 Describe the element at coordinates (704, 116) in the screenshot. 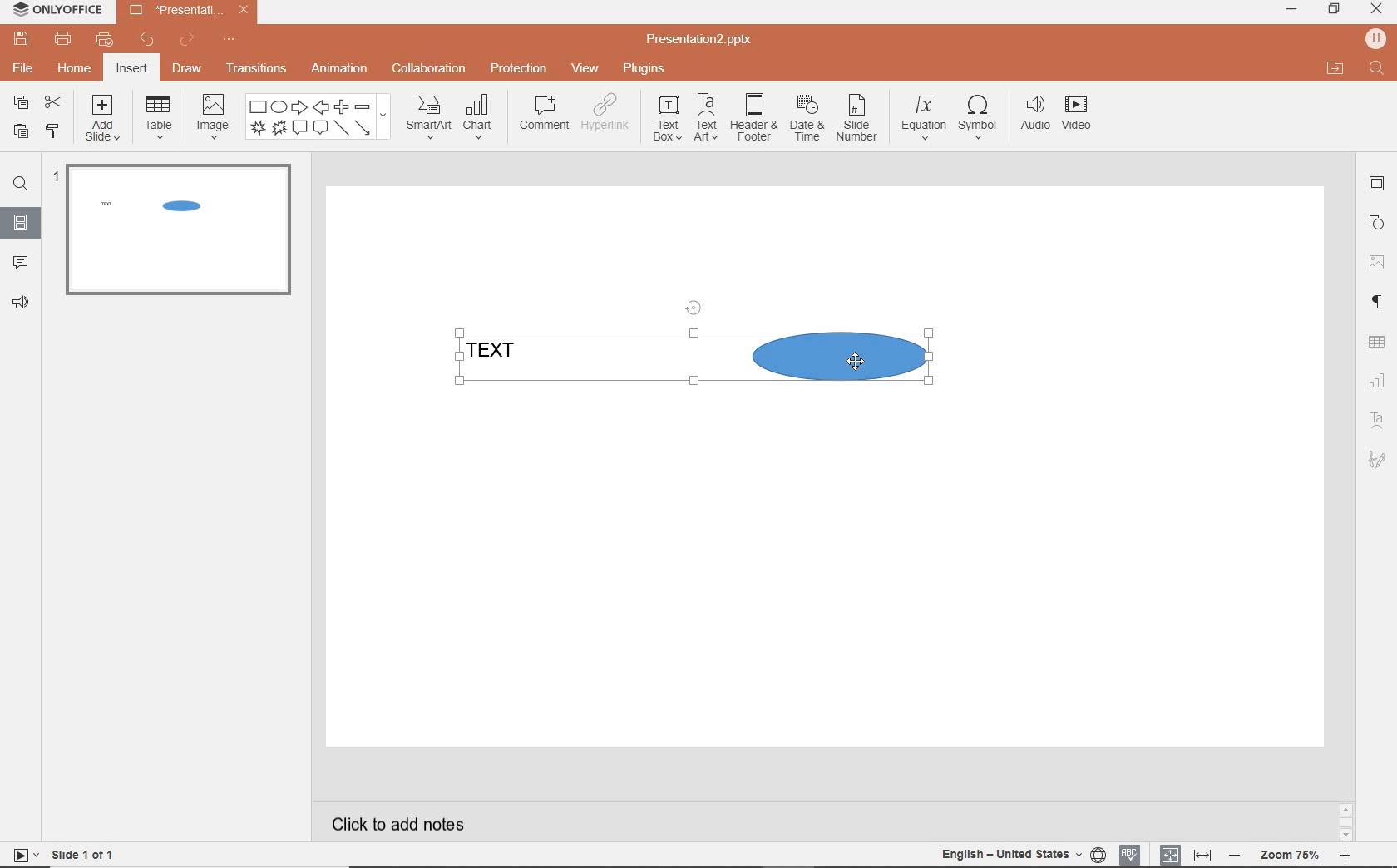

I see `textart` at that location.